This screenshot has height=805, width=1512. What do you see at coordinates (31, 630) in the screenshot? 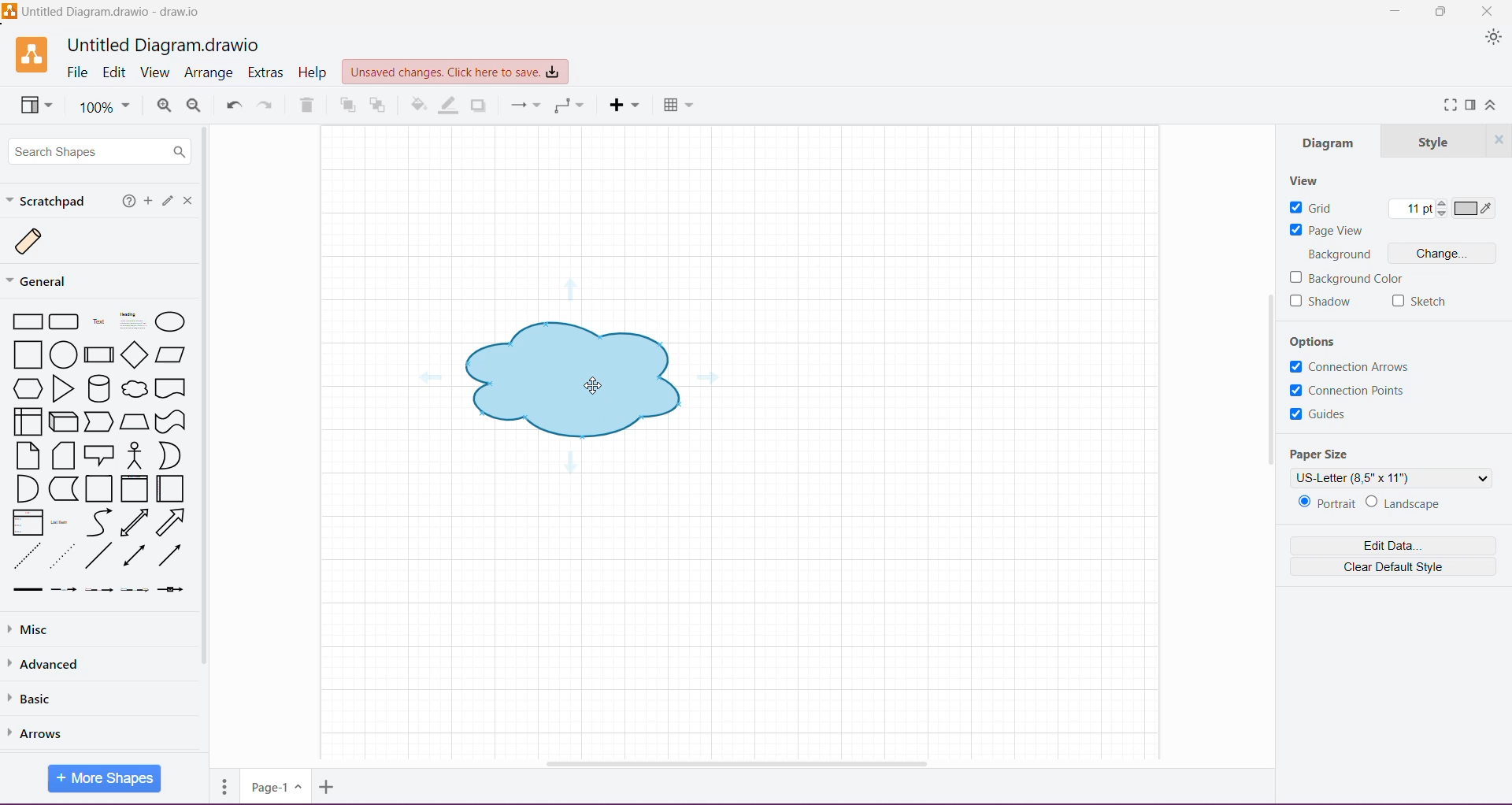
I see `Misc` at bounding box center [31, 630].